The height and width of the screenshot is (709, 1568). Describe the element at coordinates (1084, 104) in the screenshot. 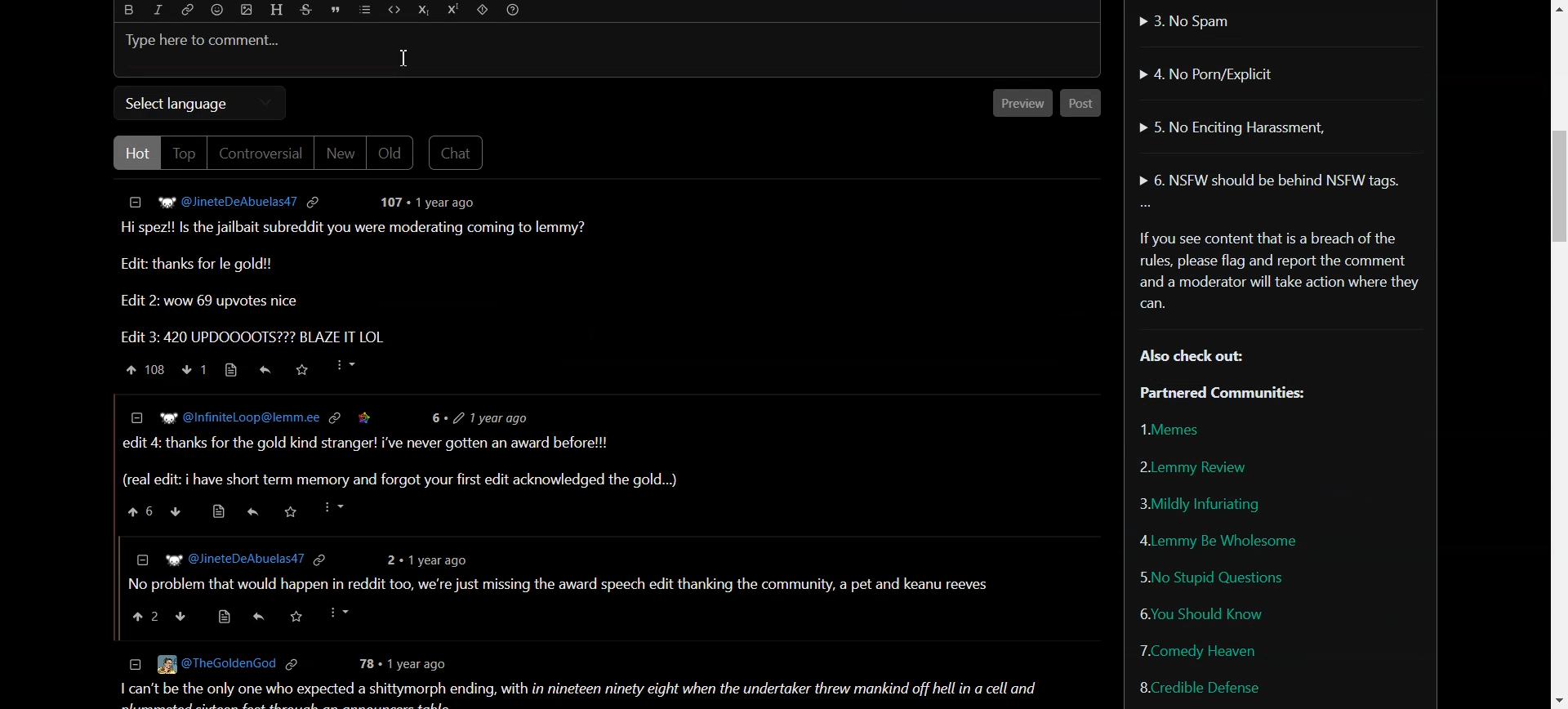

I see `Post` at that location.